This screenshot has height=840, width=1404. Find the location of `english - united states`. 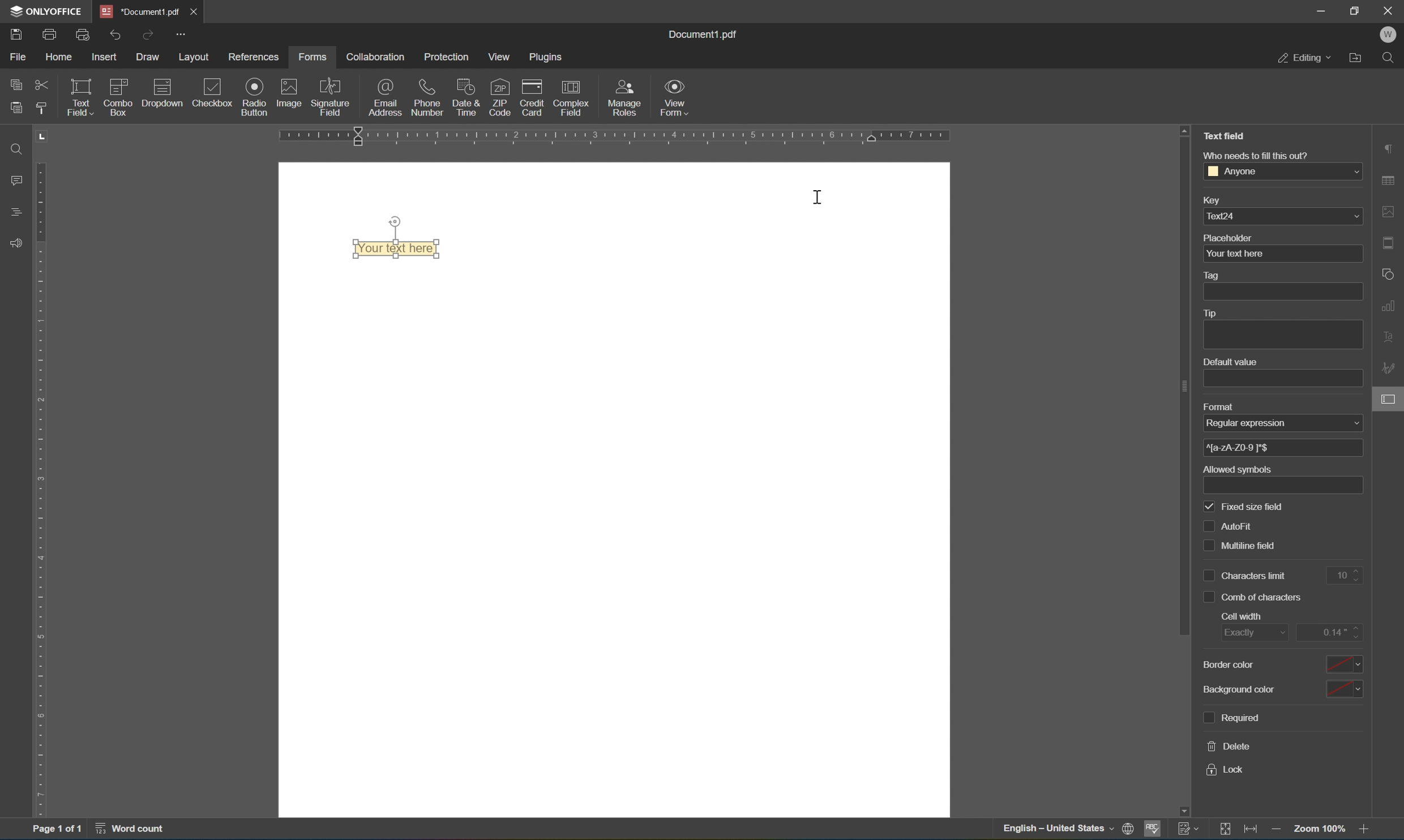

english - united states is located at coordinates (1060, 830).